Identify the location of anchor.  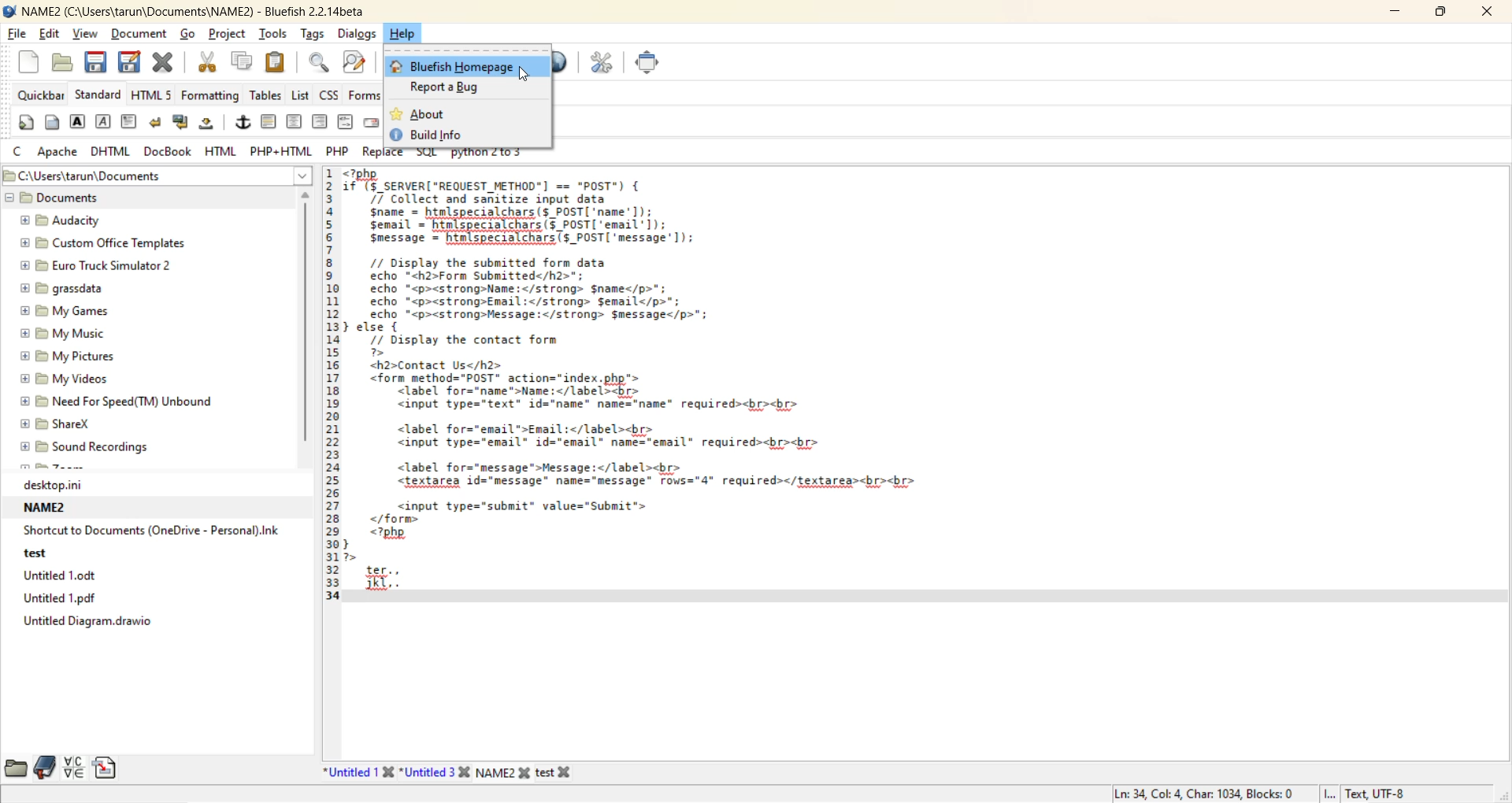
(246, 122).